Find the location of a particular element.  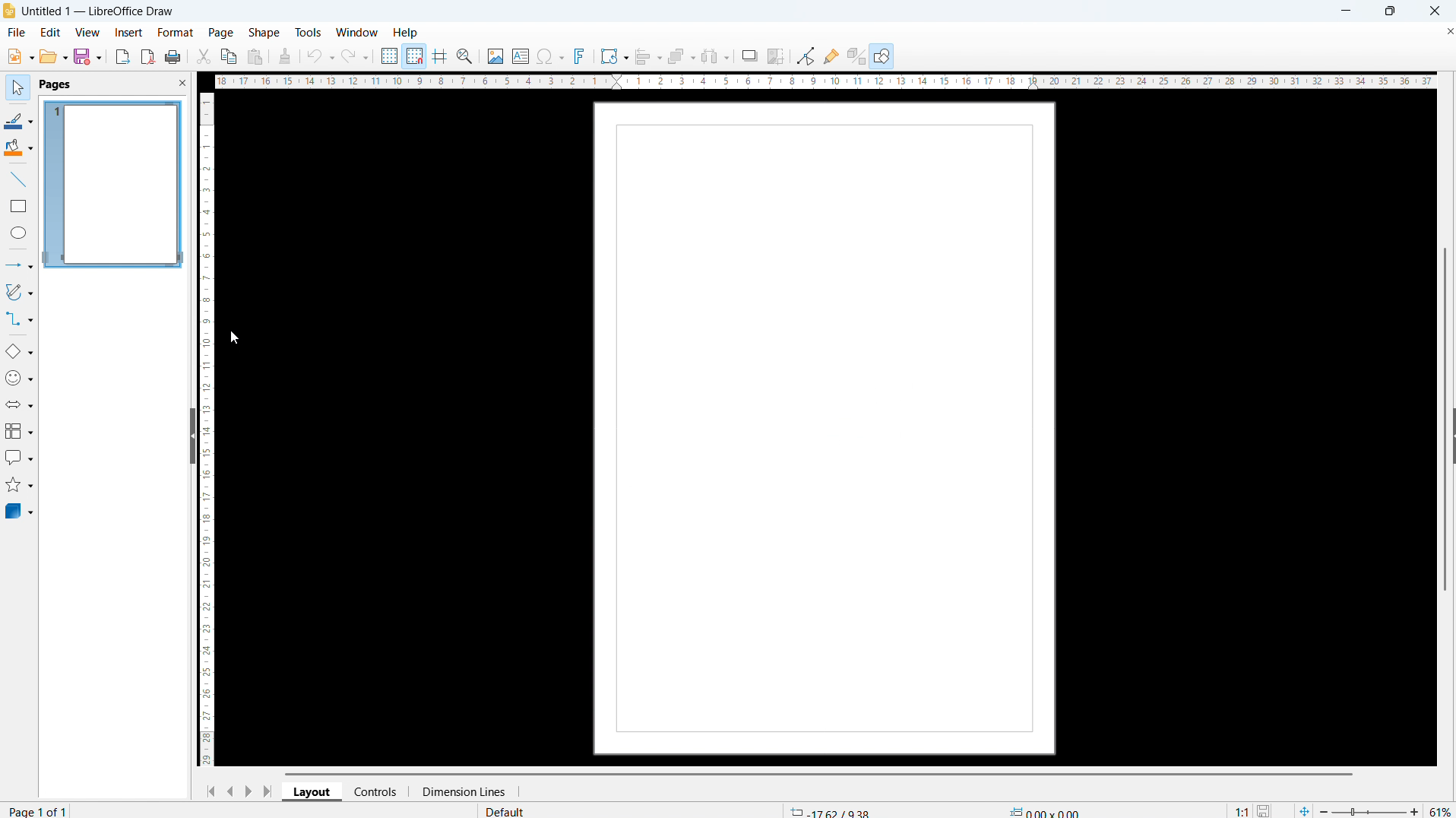

go to first page is located at coordinates (209, 791).